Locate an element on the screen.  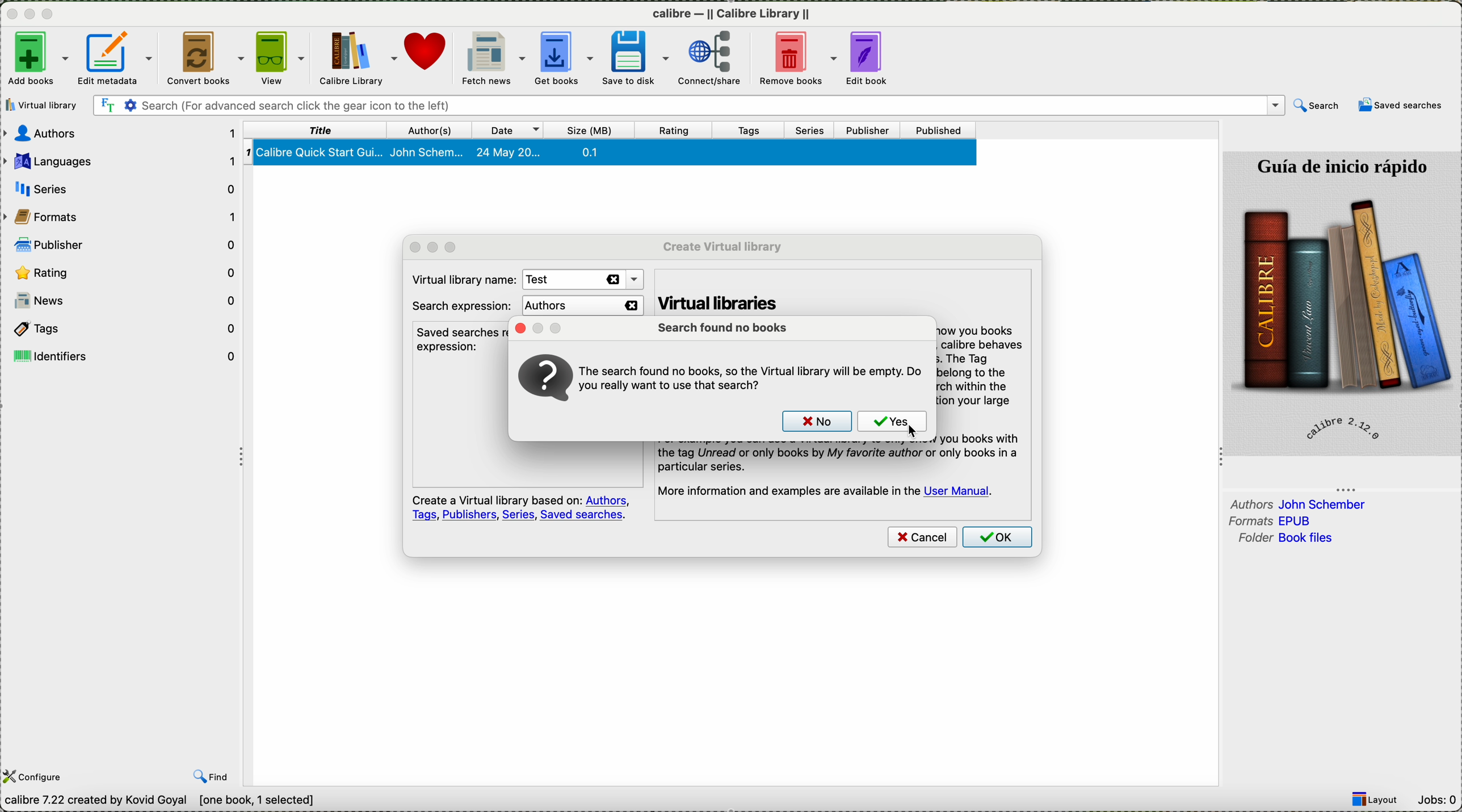
search is located at coordinates (690, 106).